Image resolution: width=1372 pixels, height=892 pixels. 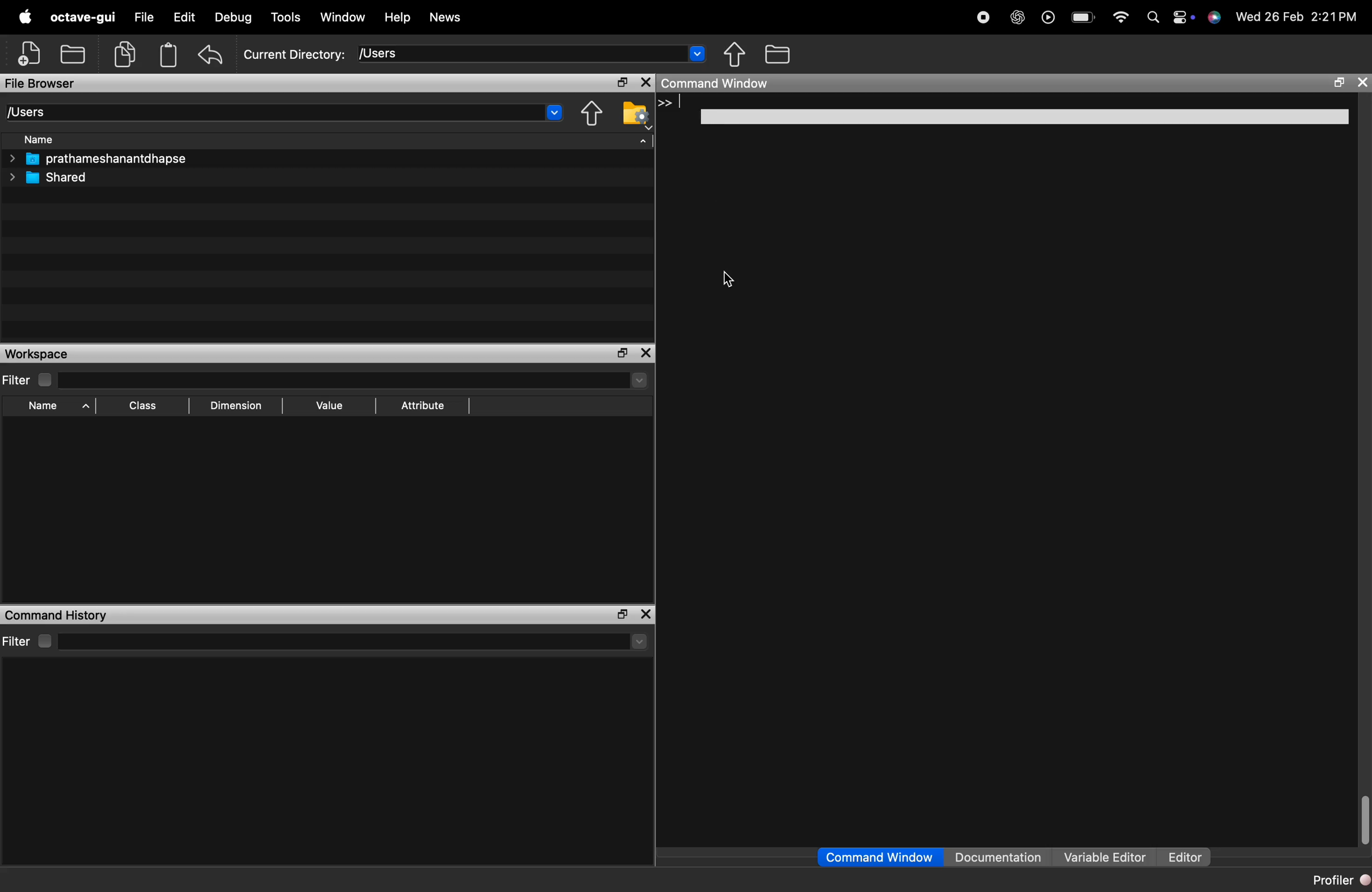 What do you see at coordinates (43, 83) in the screenshot?
I see `File Browser` at bounding box center [43, 83].